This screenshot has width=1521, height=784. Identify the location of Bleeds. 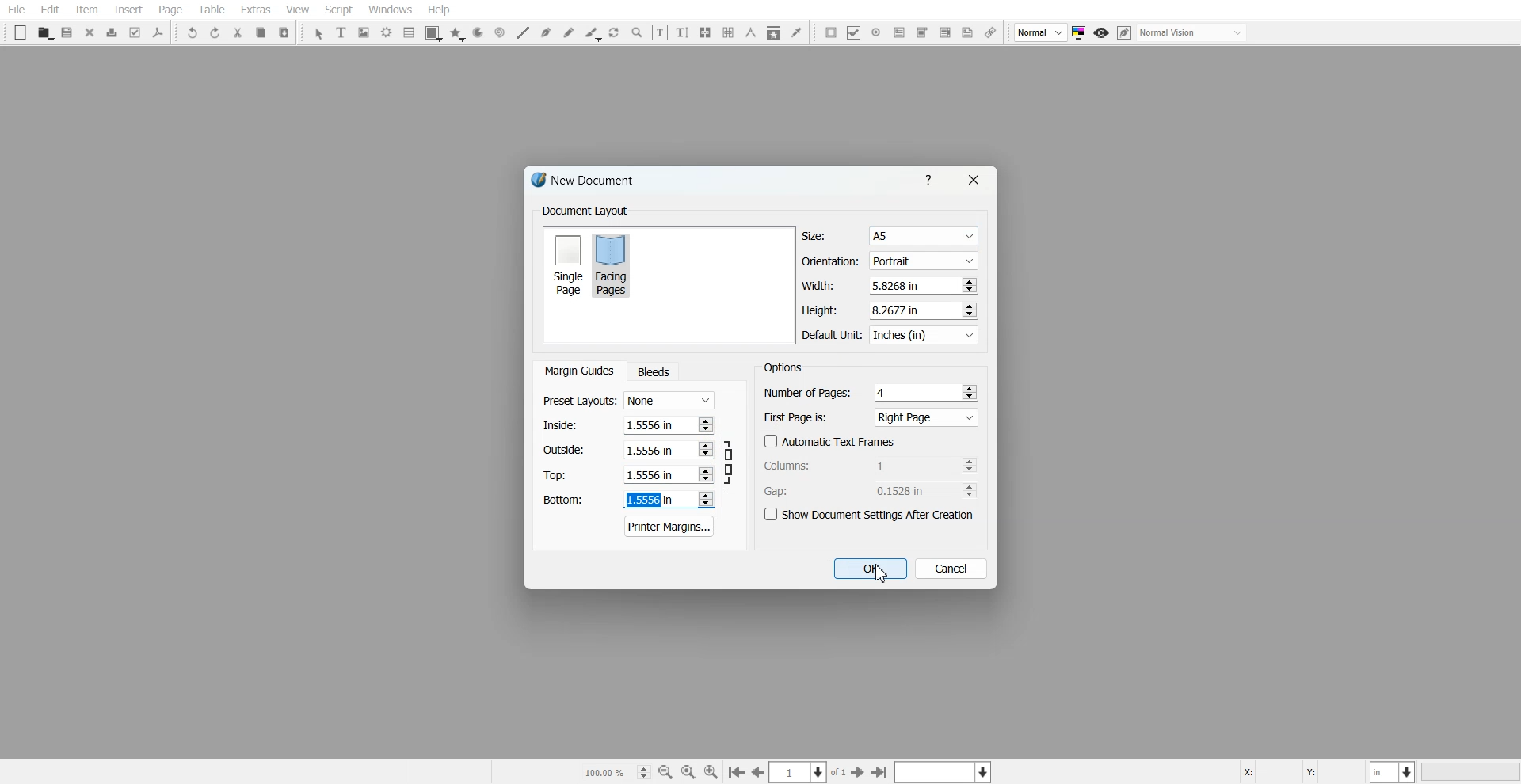
(653, 371).